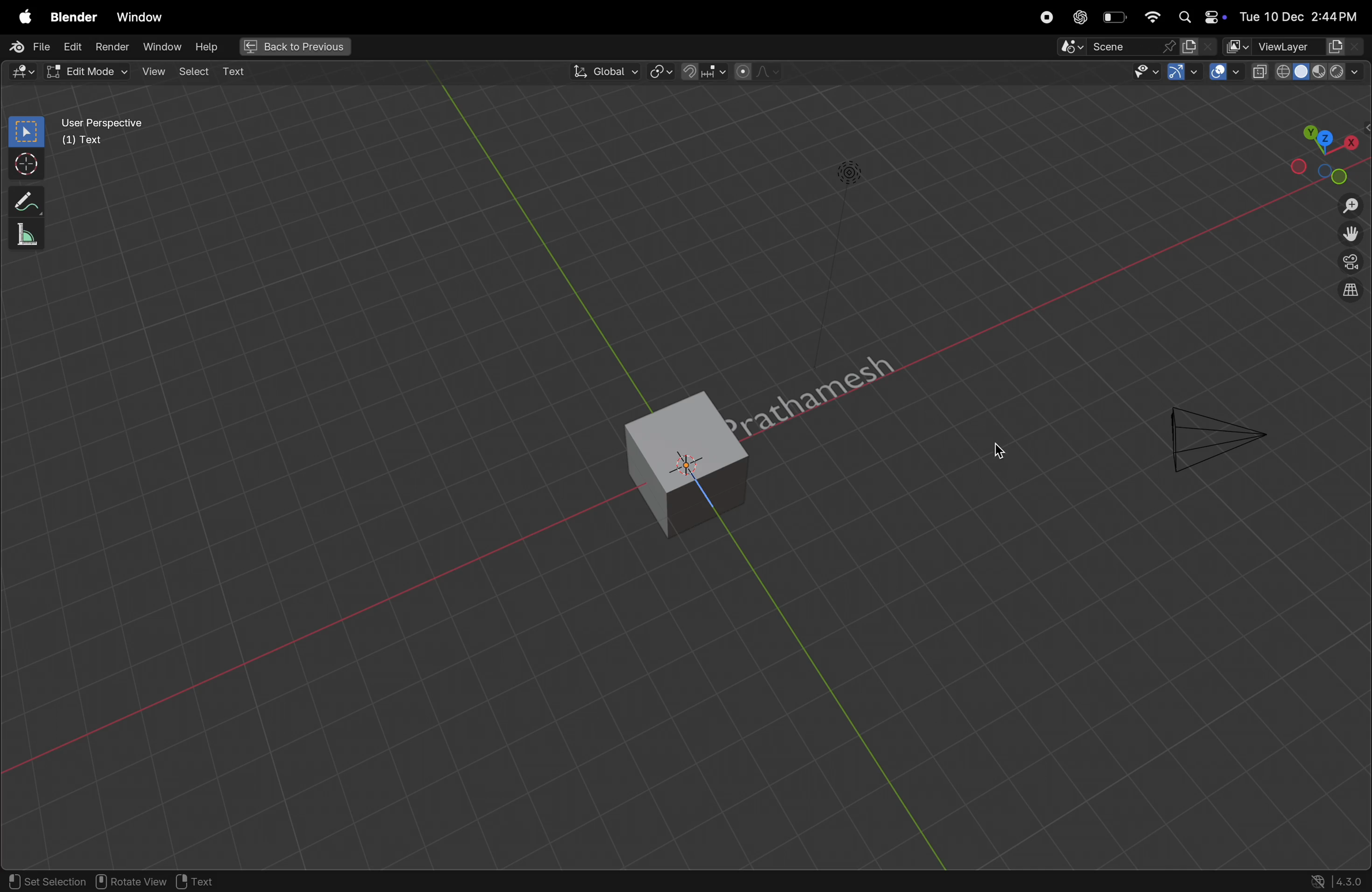  Describe the element at coordinates (131, 882) in the screenshot. I see `Pan view` at that location.